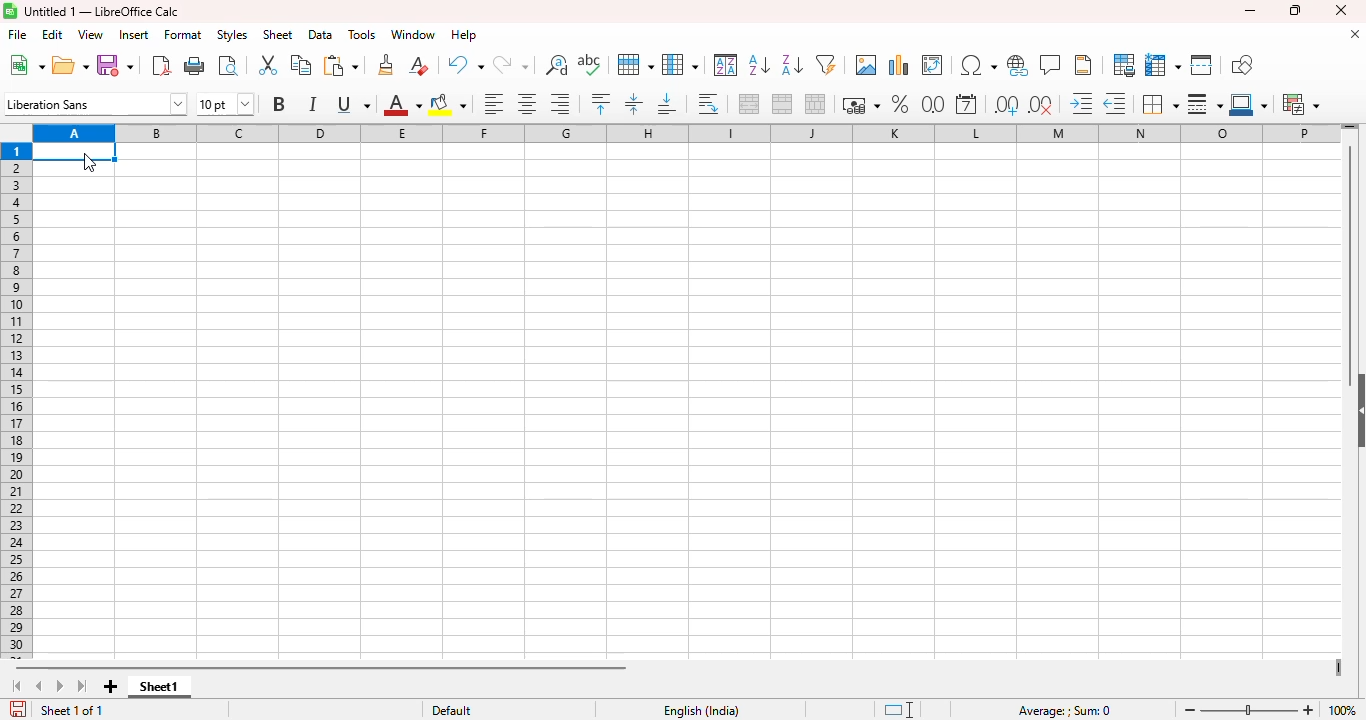 Image resolution: width=1366 pixels, height=720 pixels. Describe the element at coordinates (1065, 711) in the screenshot. I see `formula` at that location.